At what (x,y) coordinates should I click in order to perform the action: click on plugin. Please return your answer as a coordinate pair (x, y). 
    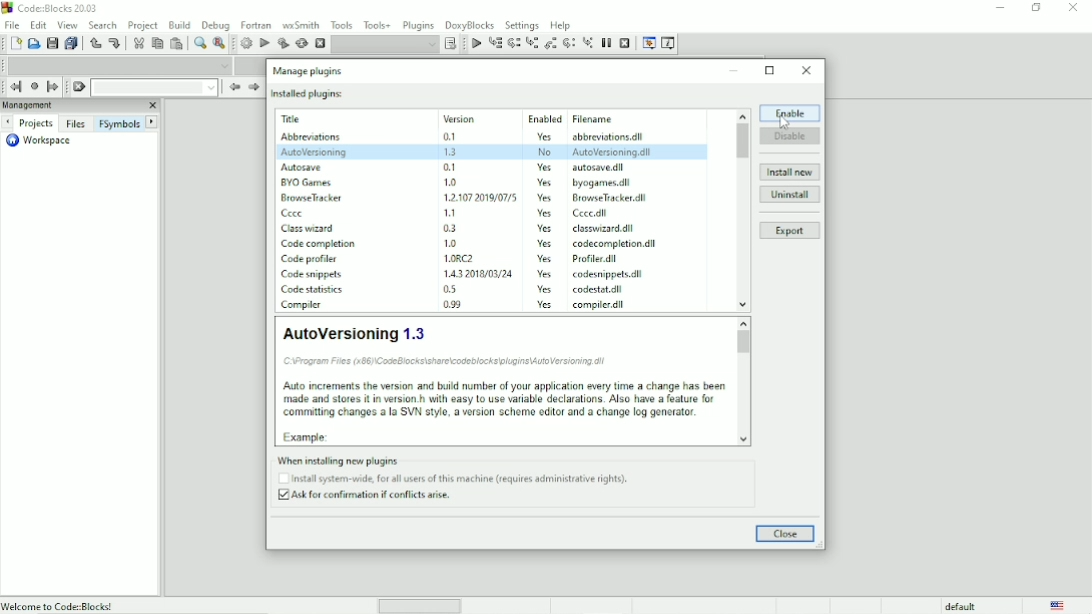
    Looking at the image, I should click on (311, 289).